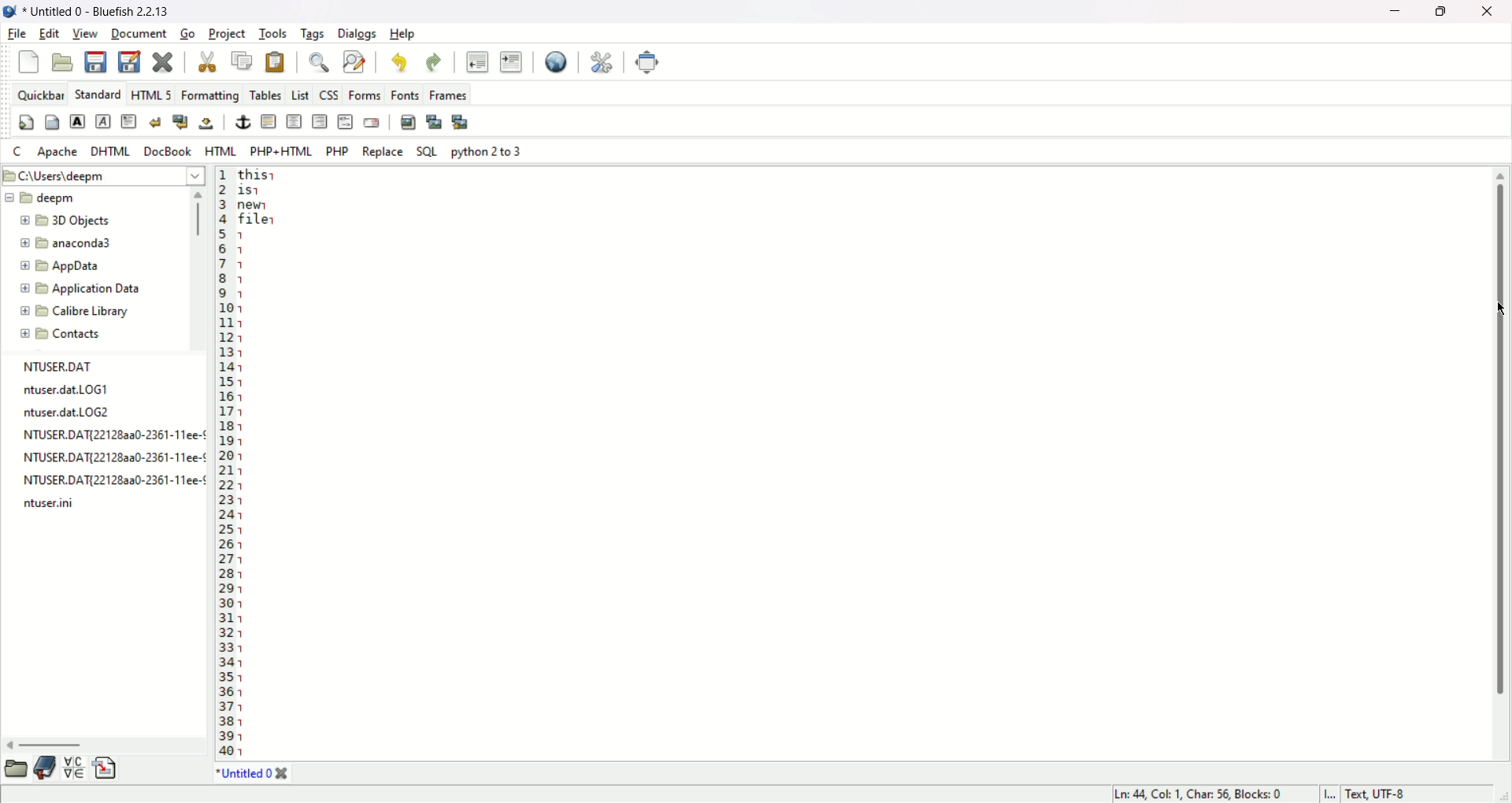 This screenshot has width=1512, height=803. Describe the element at coordinates (245, 776) in the screenshot. I see `document tab` at that location.